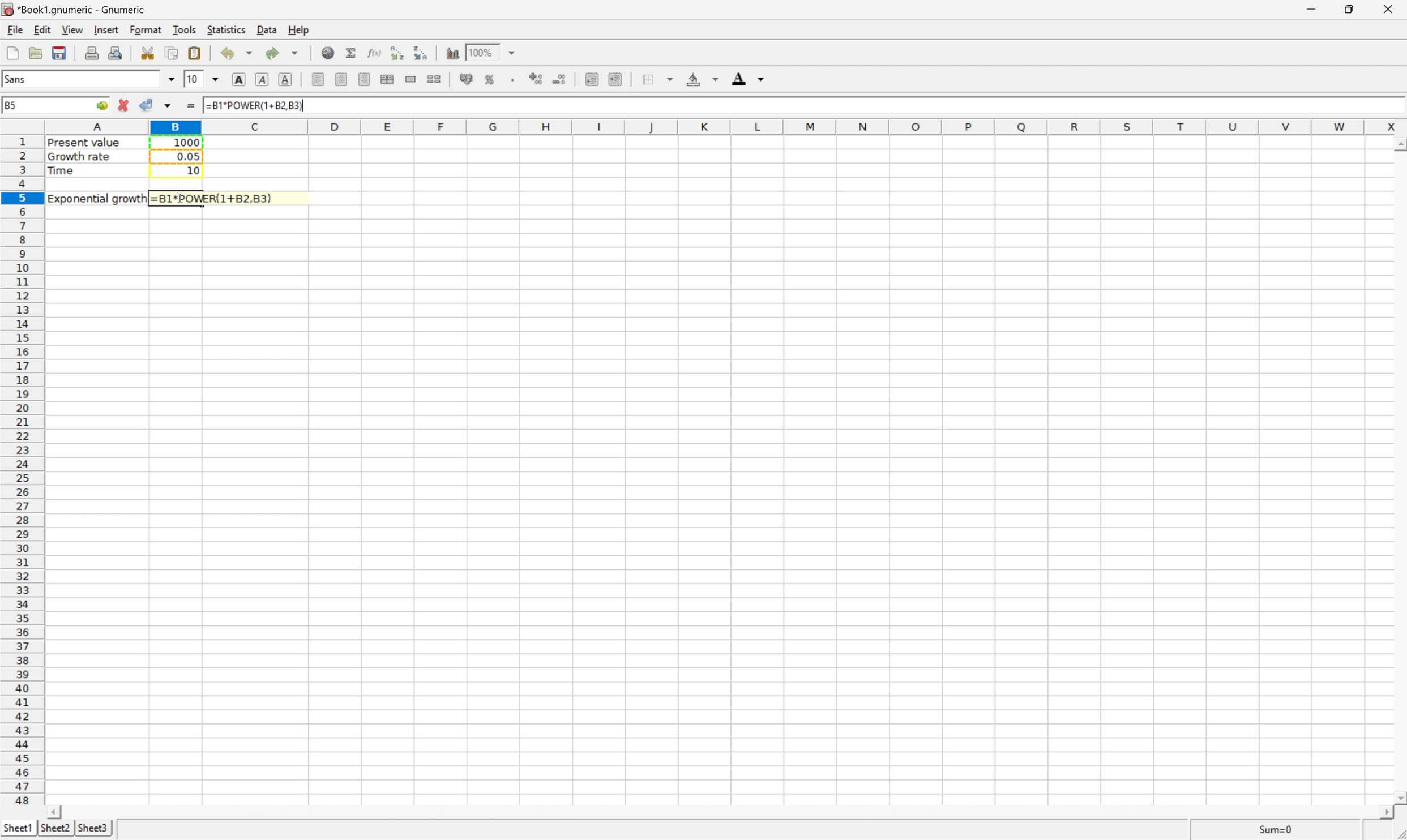  I want to click on Foreground, so click(747, 78).